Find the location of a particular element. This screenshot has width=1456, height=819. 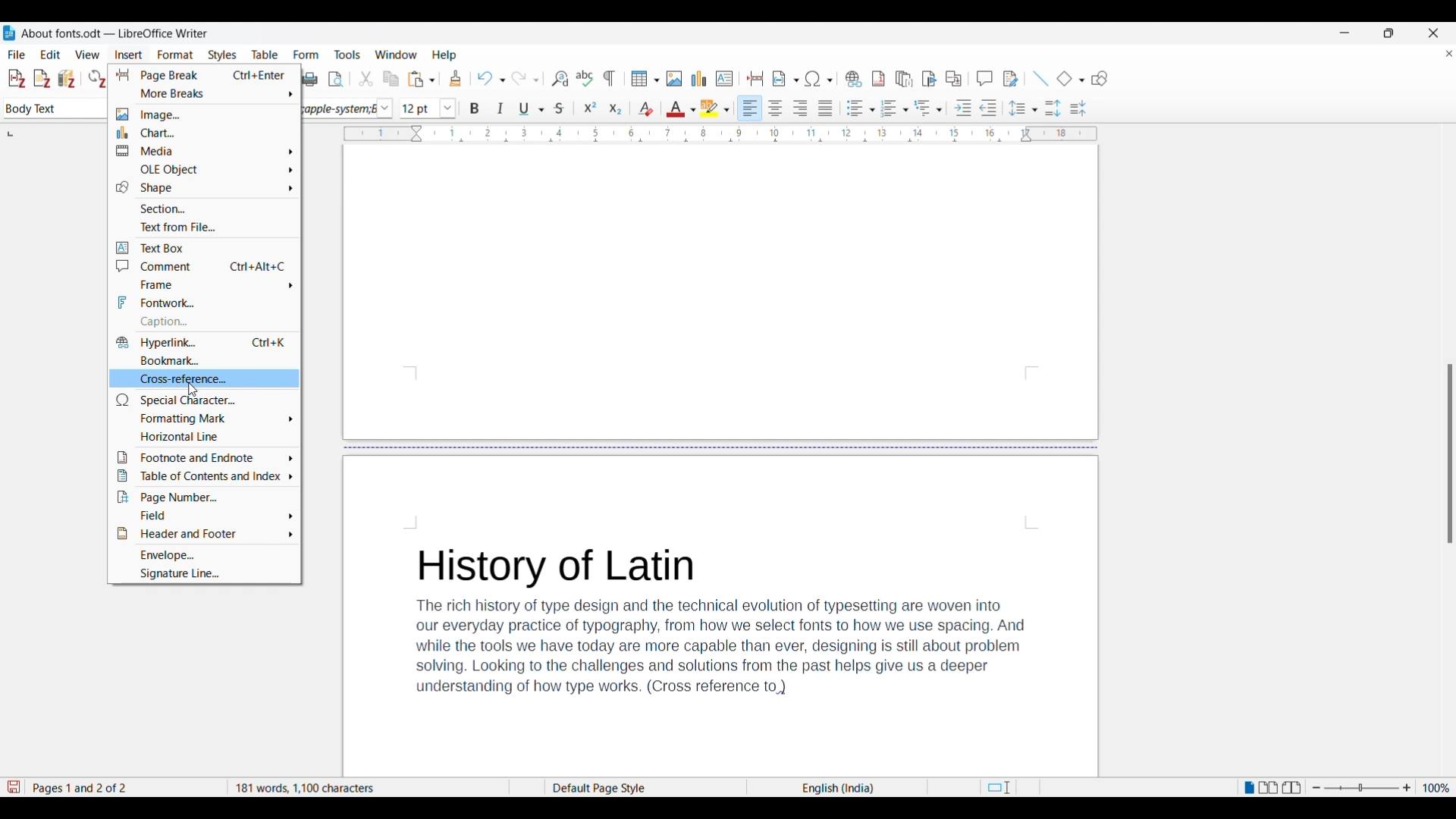

Undo options is located at coordinates (491, 79).